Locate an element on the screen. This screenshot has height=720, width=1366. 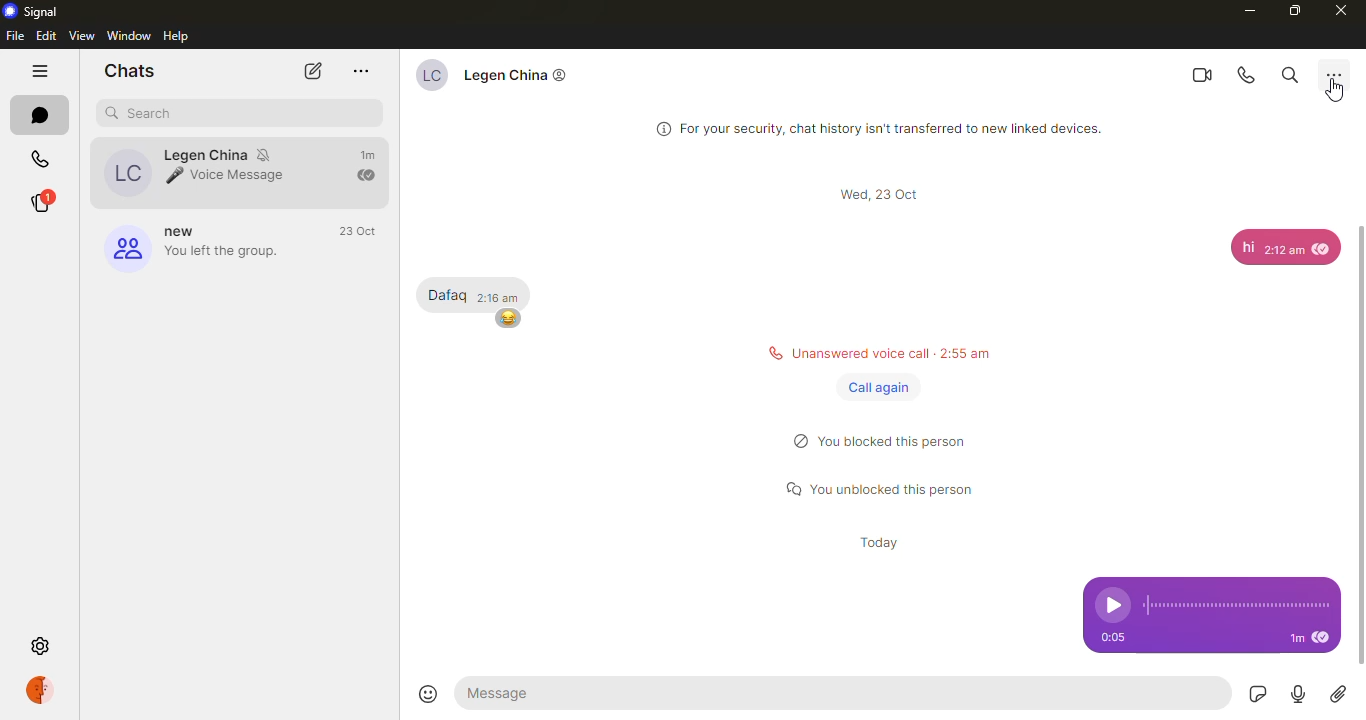
help is located at coordinates (178, 36).